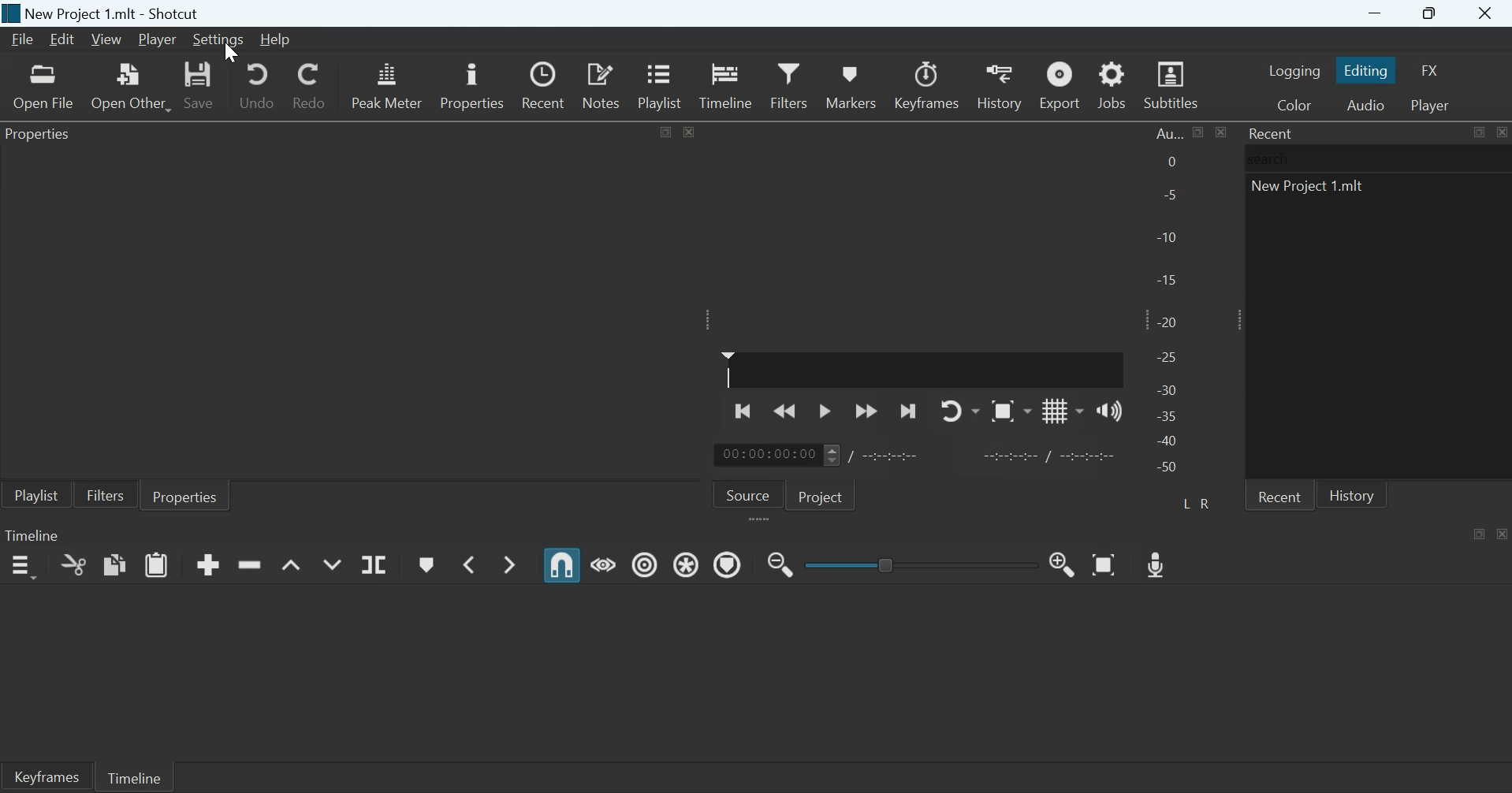 The height and width of the screenshot is (793, 1512). What do you see at coordinates (331, 564) in the screenshot?
I see `Overwrite` at bounding box center [331, 564].